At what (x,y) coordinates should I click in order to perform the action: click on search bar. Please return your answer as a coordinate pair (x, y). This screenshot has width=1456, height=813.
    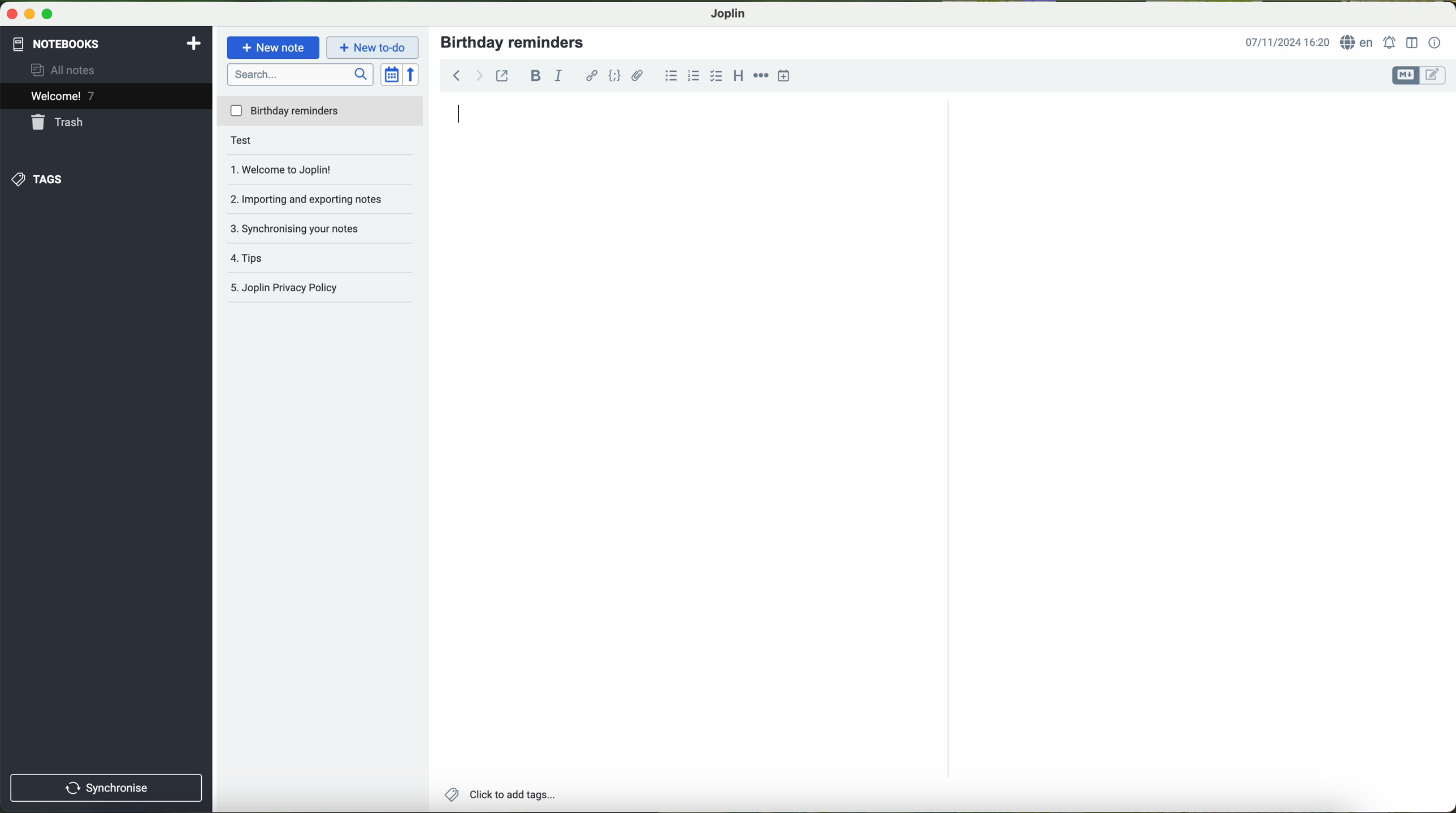
    Looking at the image, I should click on (300, 76).